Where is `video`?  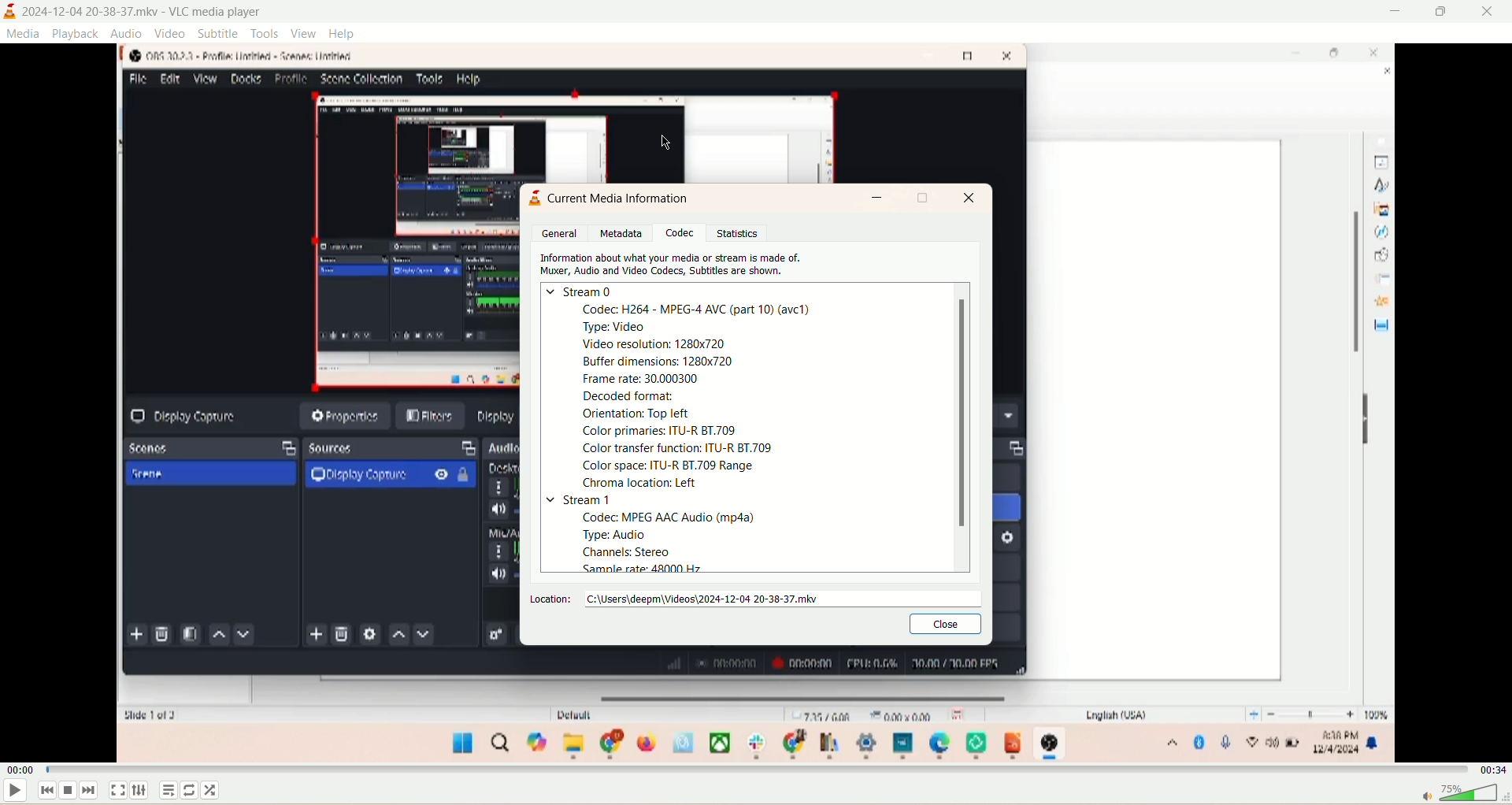 video is located at coordinates (171, 34).